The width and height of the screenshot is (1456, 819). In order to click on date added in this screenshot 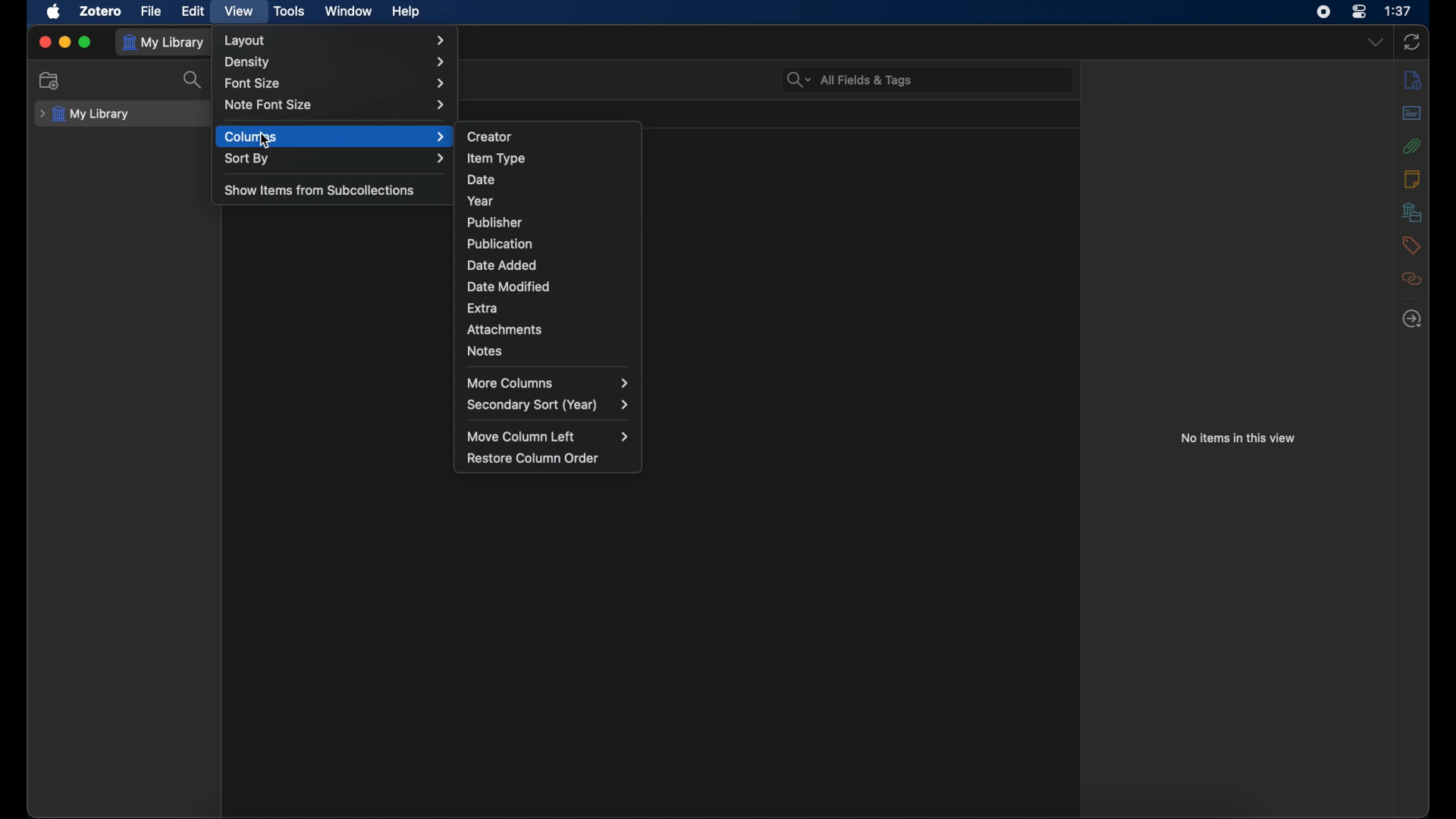, I will do `click(501, 264)`.